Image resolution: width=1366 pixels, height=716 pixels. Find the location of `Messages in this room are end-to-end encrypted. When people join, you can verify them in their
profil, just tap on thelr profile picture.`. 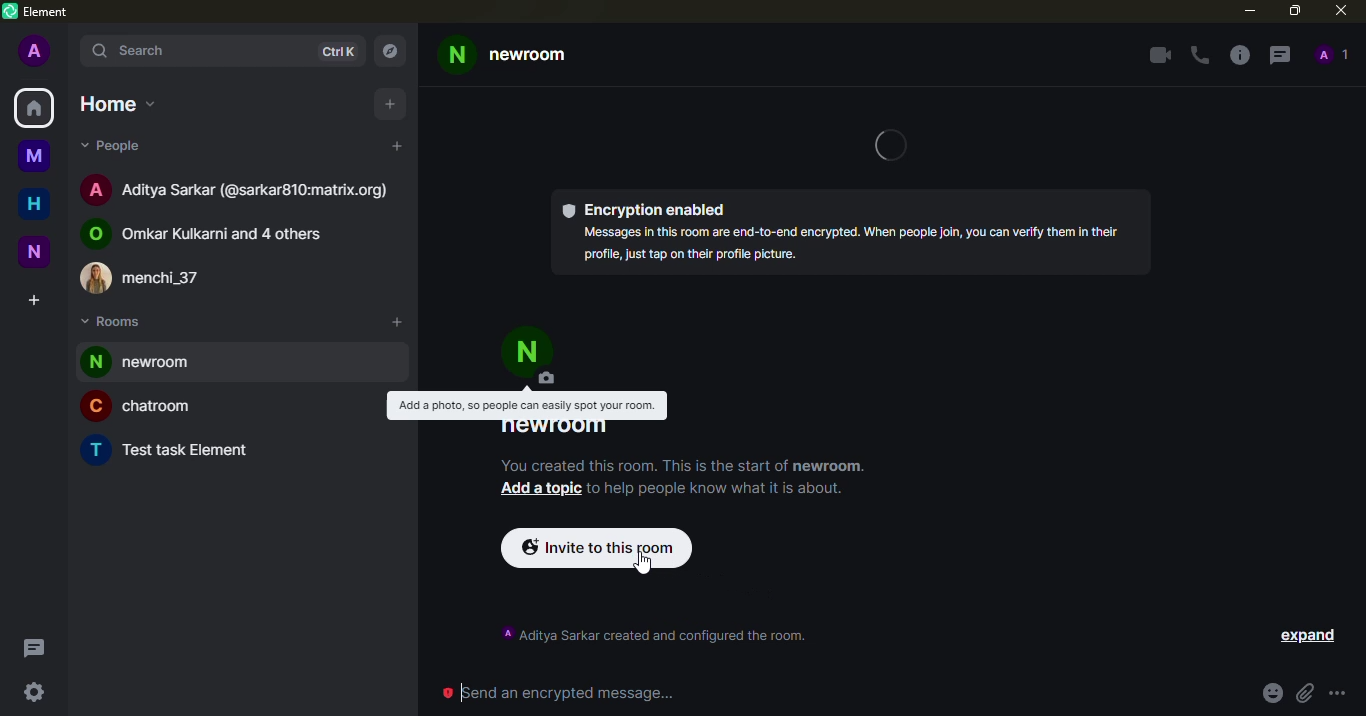

Messages in this room are end-to-end encrypted. When people join, you can verify them in their
profil, just tap on thelr profile picture. is located at coordinates (854, 248).